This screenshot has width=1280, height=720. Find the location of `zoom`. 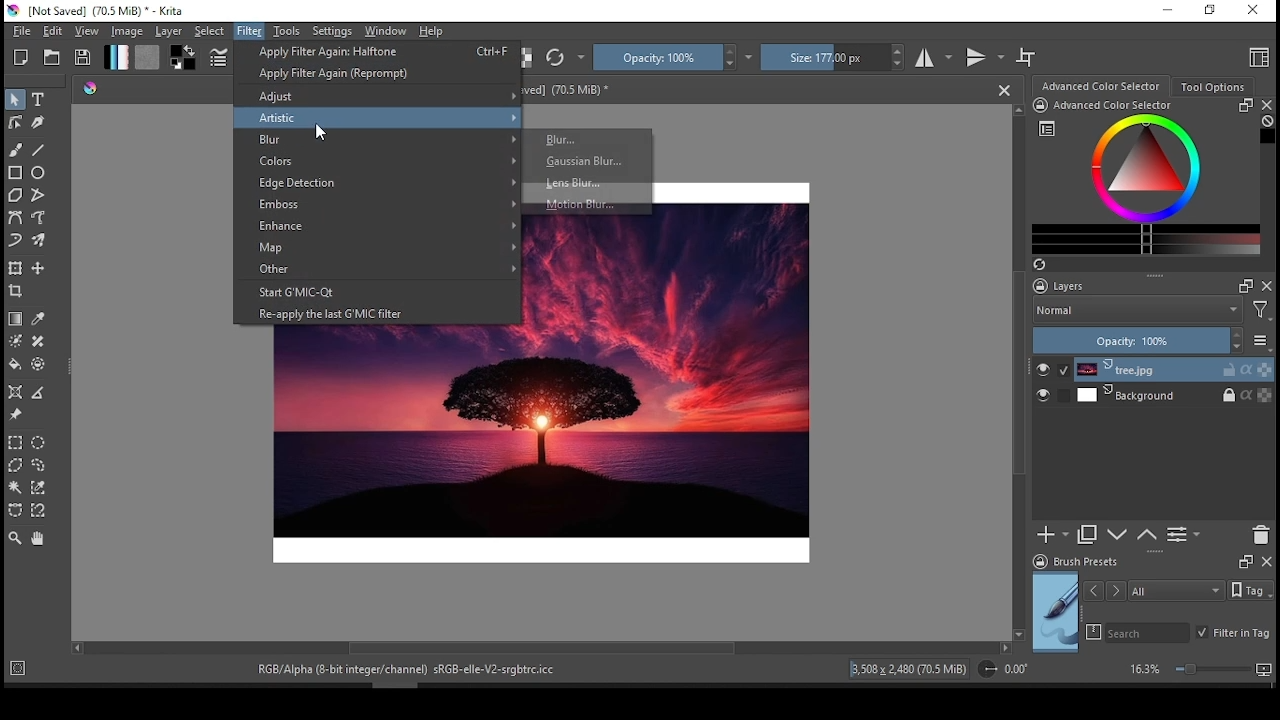

zoom is located at coordinates (1200, 671).